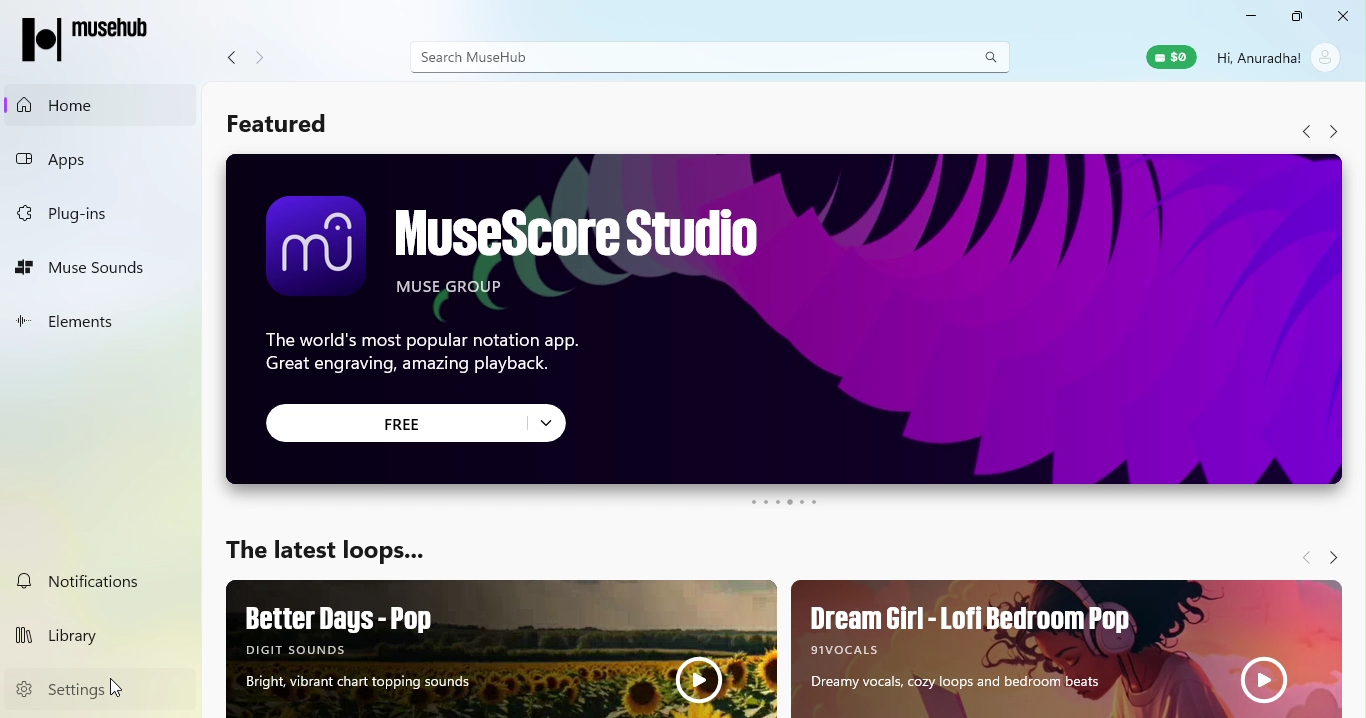 Image resolution: width=1366 pixels, height=718 pixels. What do you see at coordinates (1339, 17) in the screenshot?
I see `Close` at bounding box center [1339, 17].